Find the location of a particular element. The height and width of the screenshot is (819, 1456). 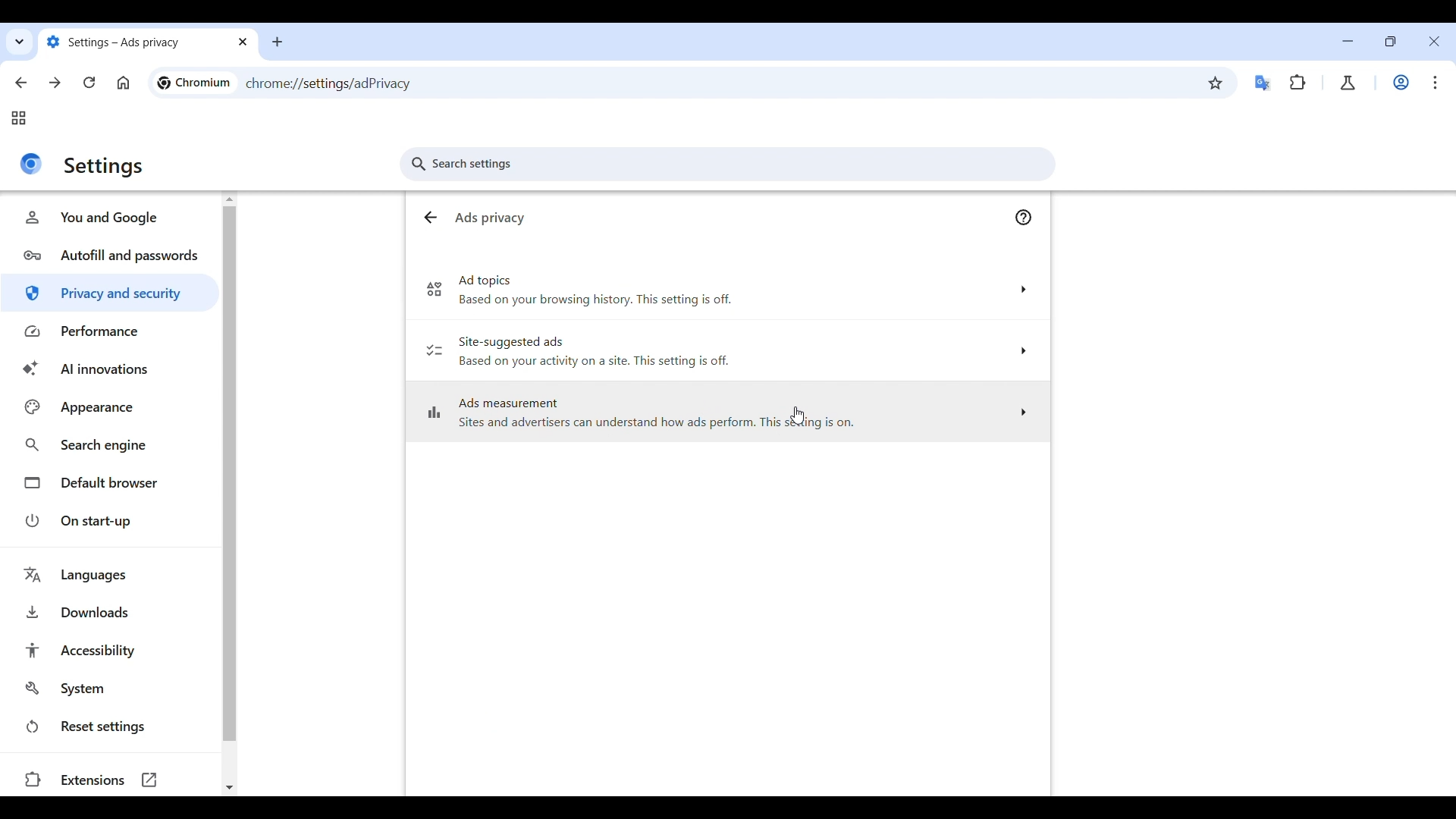

search settings is located at coordinates (734, 167).